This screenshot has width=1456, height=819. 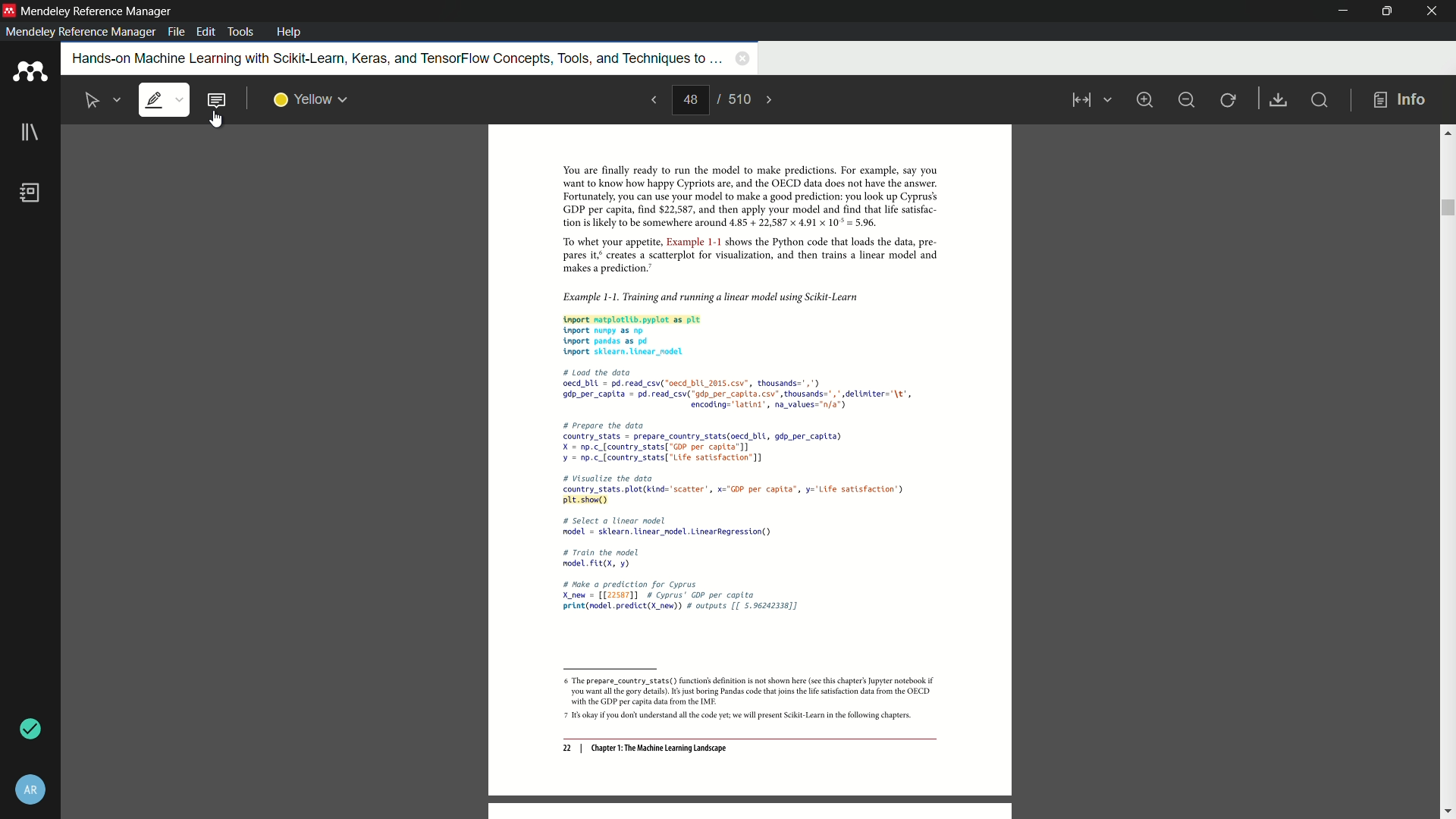 I want to click on find, so click(x=1318, y=99).